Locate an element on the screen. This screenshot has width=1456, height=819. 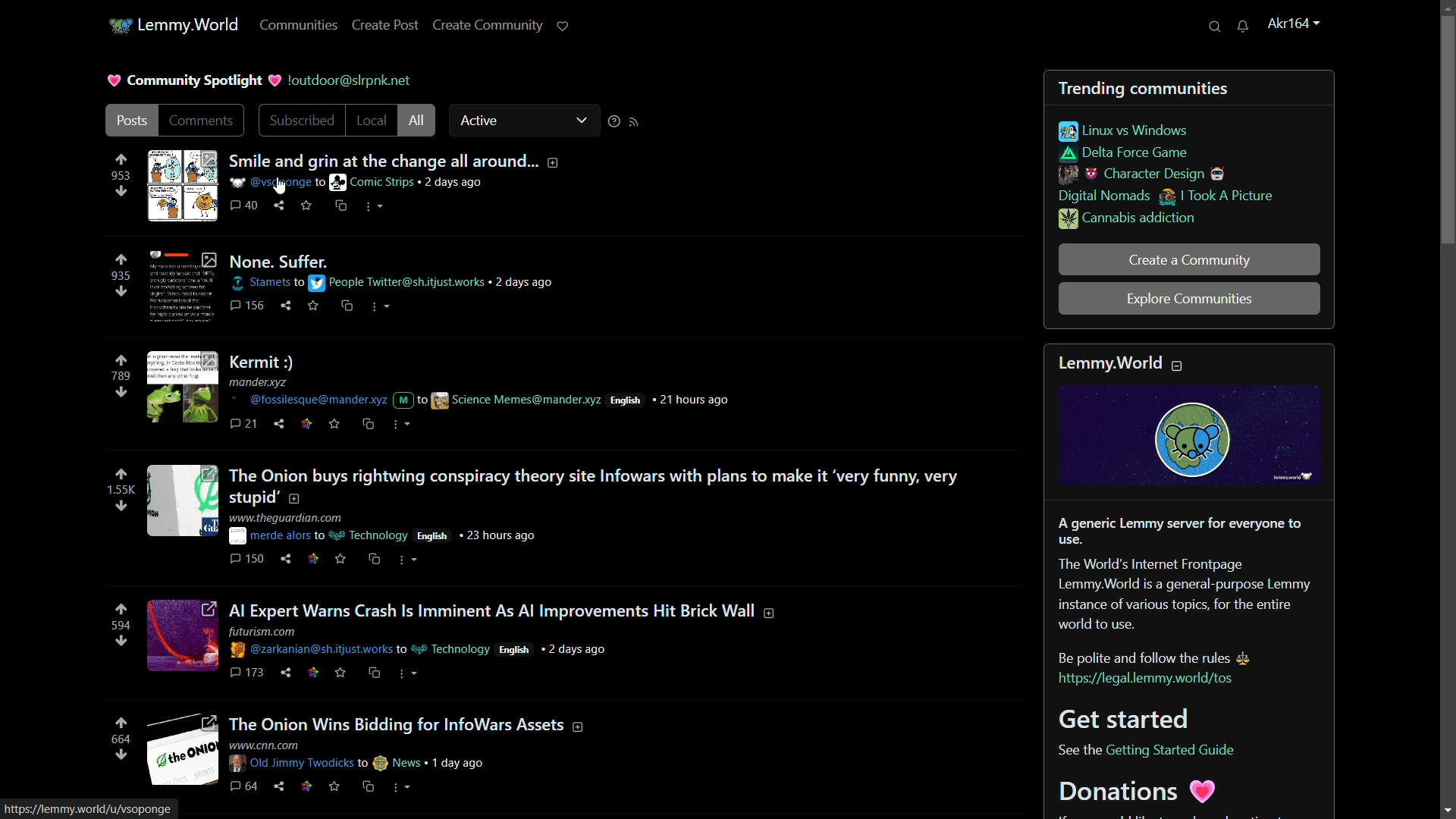
donations is located at coordinates (1163, 789).